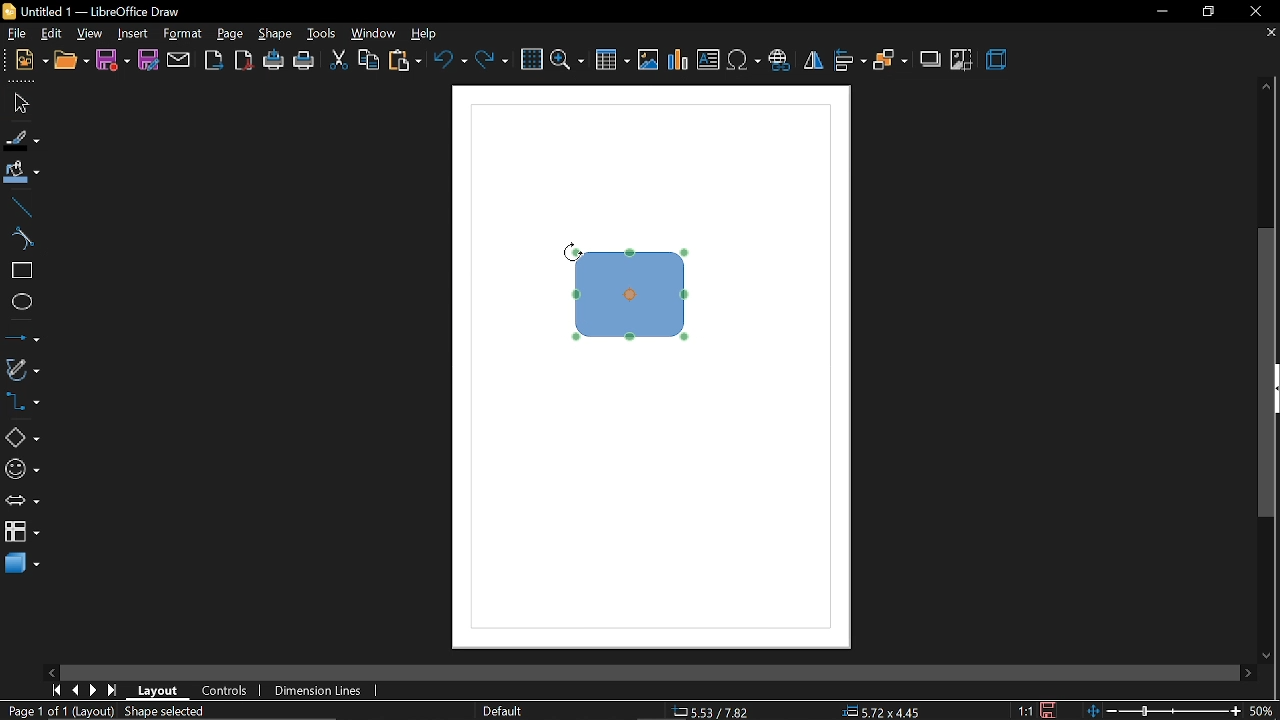 The width and height of the screenshot is (1280, 720). What do you see at coordinates (20, 239) in the screenshot?
I see `curve` at bounding box center [20, 239].